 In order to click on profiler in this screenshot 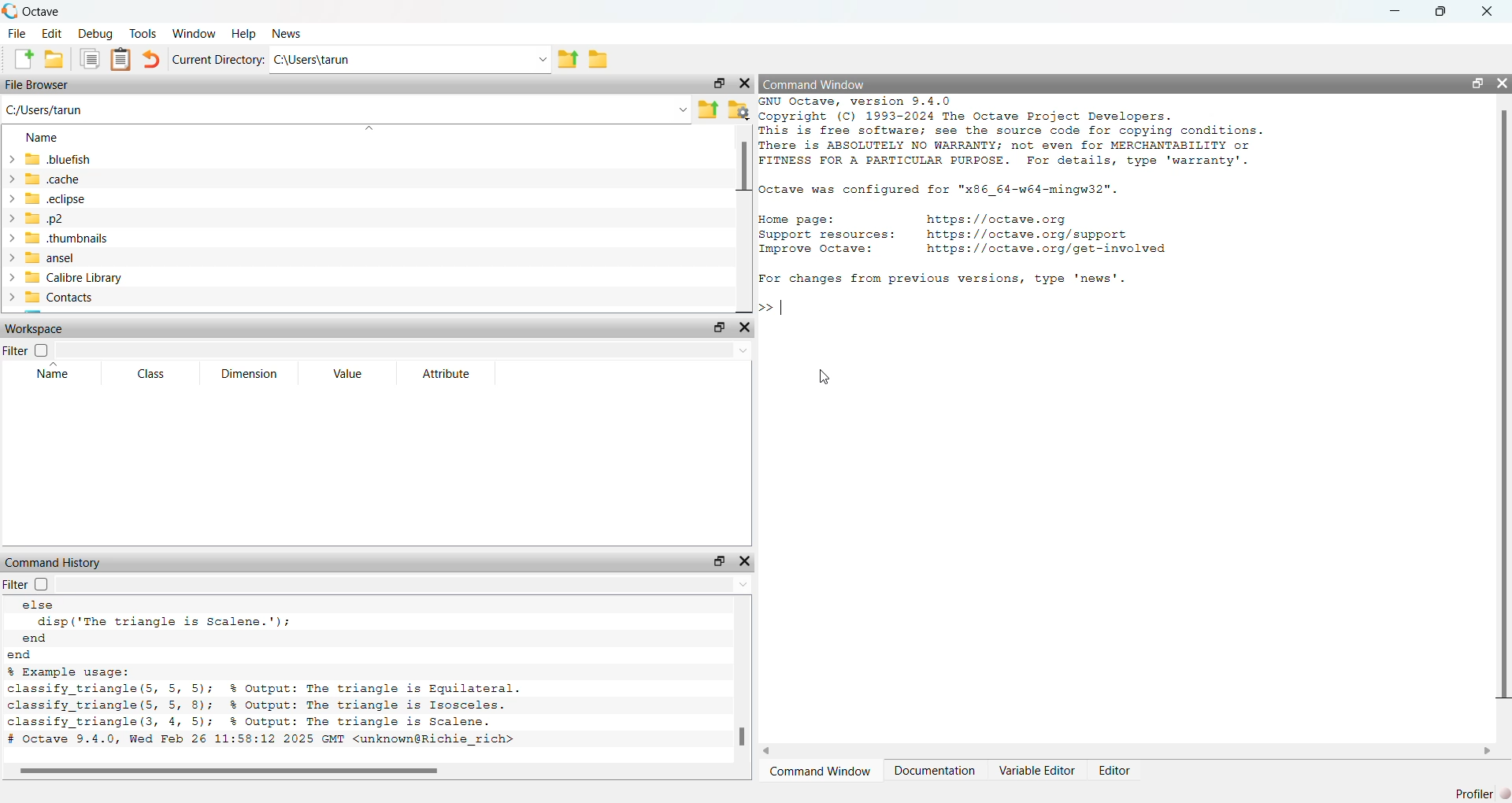, I will do `click(1477, 792)`.